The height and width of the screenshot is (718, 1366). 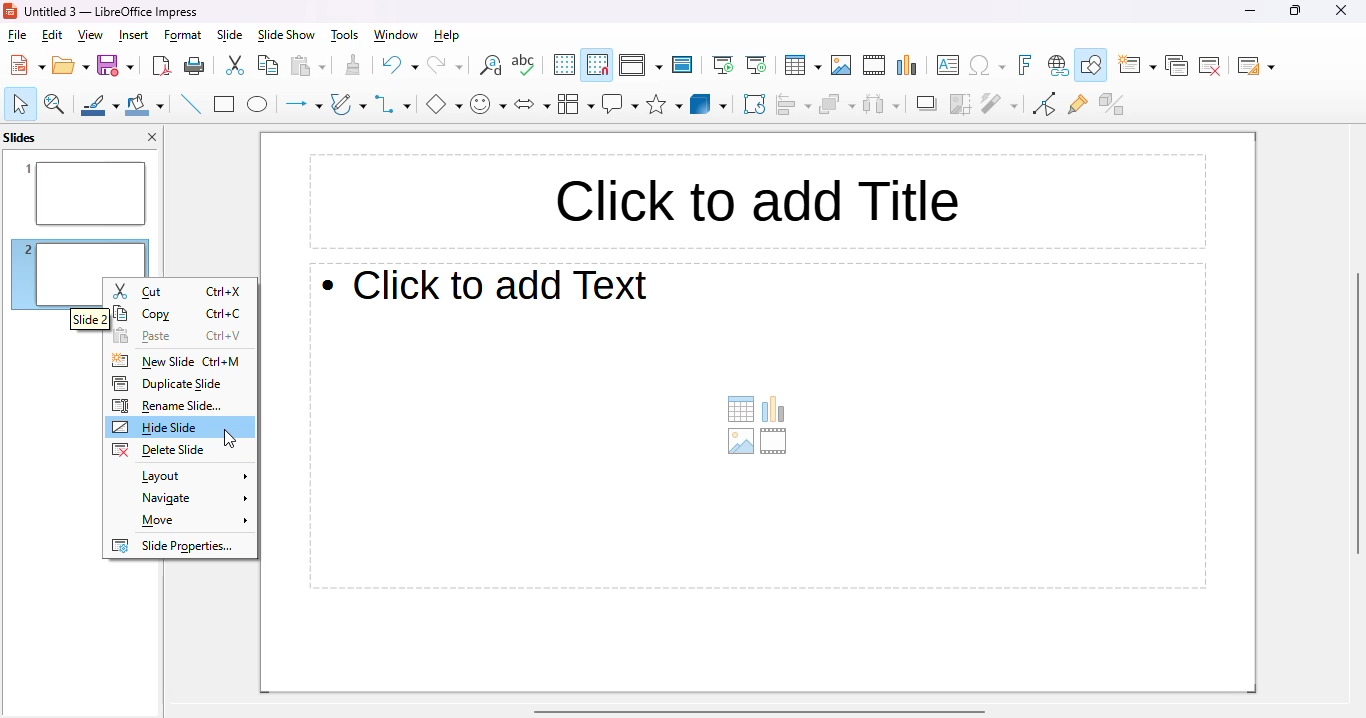 I want to click on fill color, so click(x=145, y=106).